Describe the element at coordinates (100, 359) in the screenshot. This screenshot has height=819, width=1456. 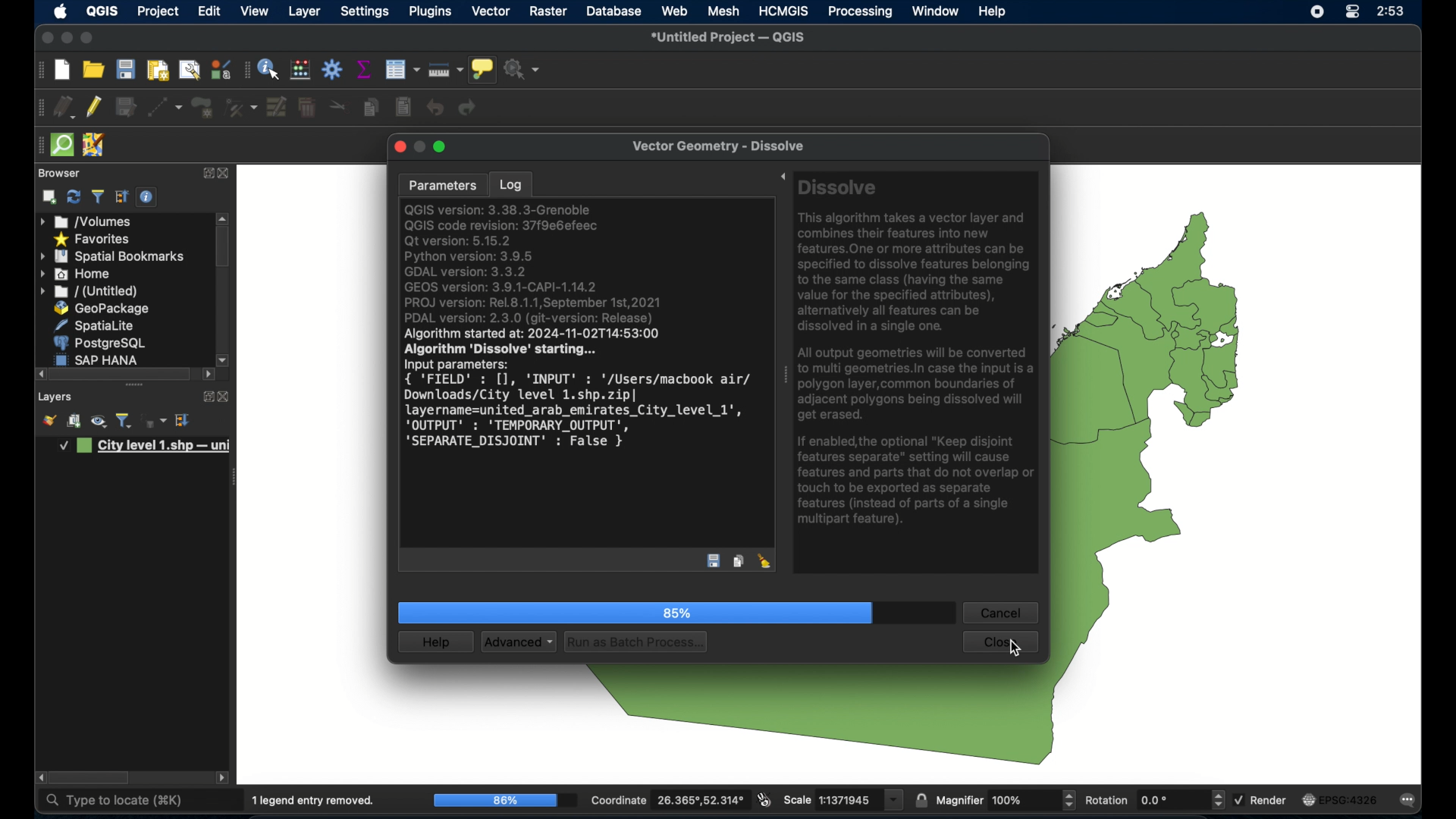
I see `sap hana` at that location.